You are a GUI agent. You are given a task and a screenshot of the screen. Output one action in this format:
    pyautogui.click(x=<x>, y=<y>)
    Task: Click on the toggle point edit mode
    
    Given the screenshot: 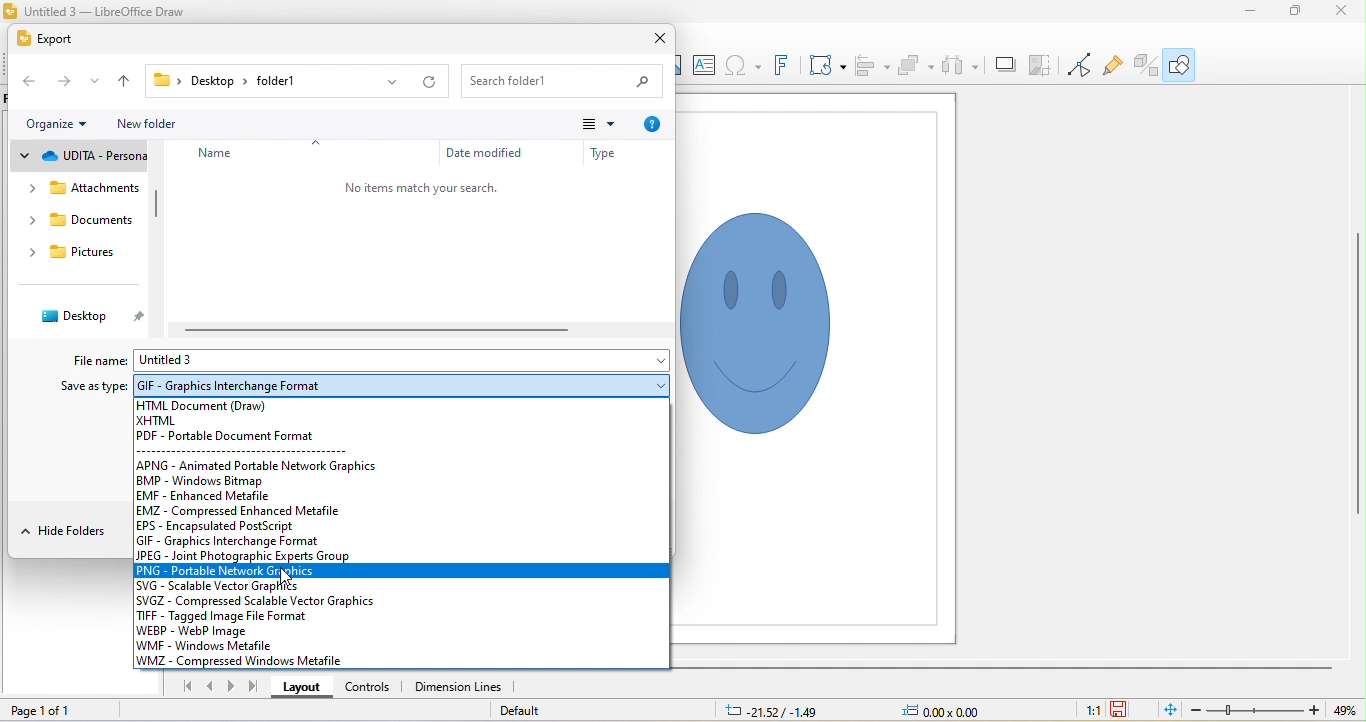 What is the action you would take?
    pyautogui.click(x=1080, y=67)
    